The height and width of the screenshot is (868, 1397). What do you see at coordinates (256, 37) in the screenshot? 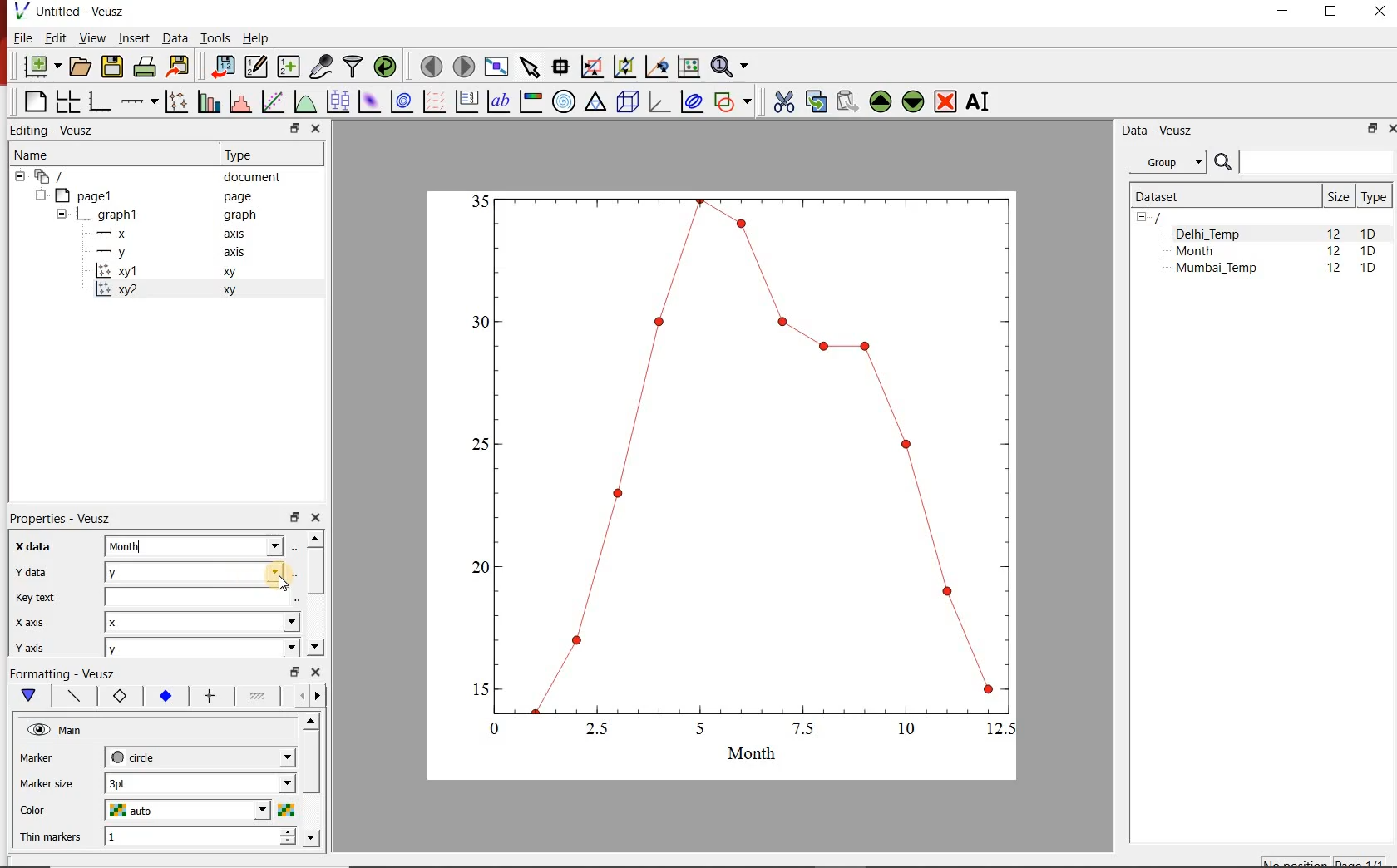
I see `Help` at bounding box center [256, 37].